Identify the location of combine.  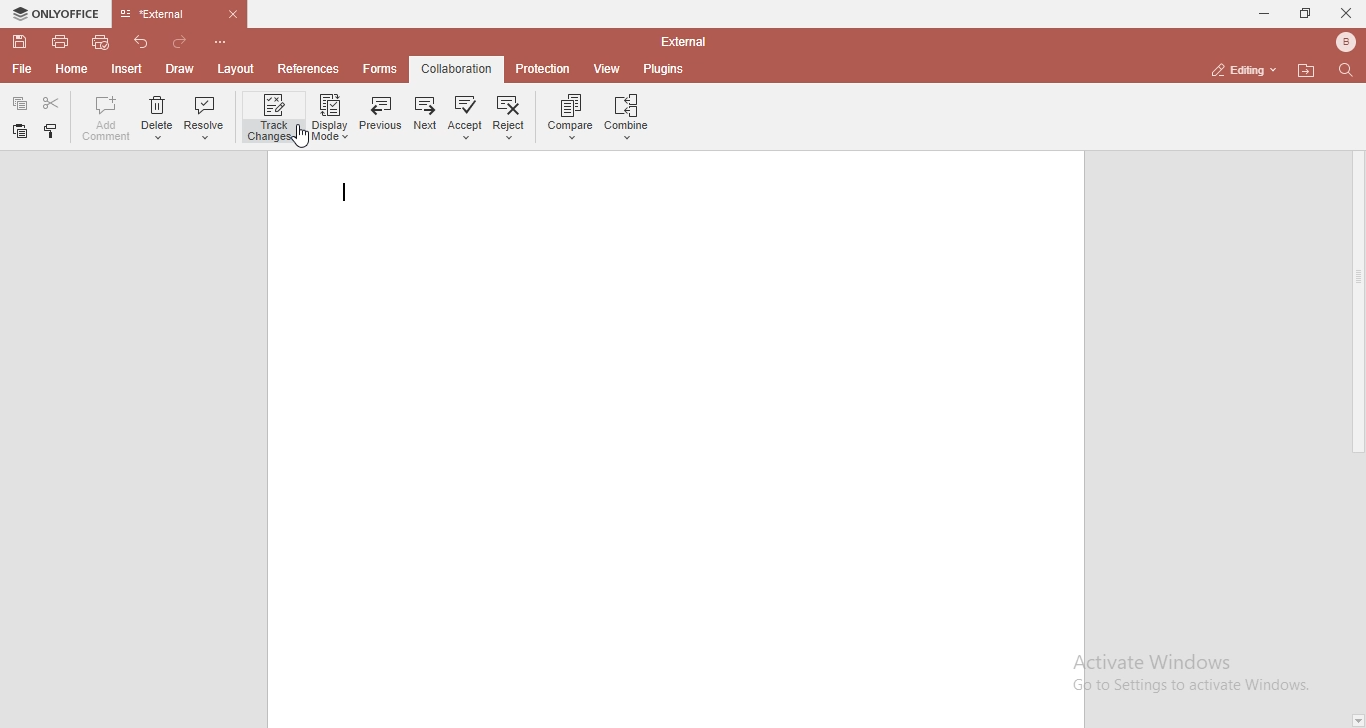
(629, 117).